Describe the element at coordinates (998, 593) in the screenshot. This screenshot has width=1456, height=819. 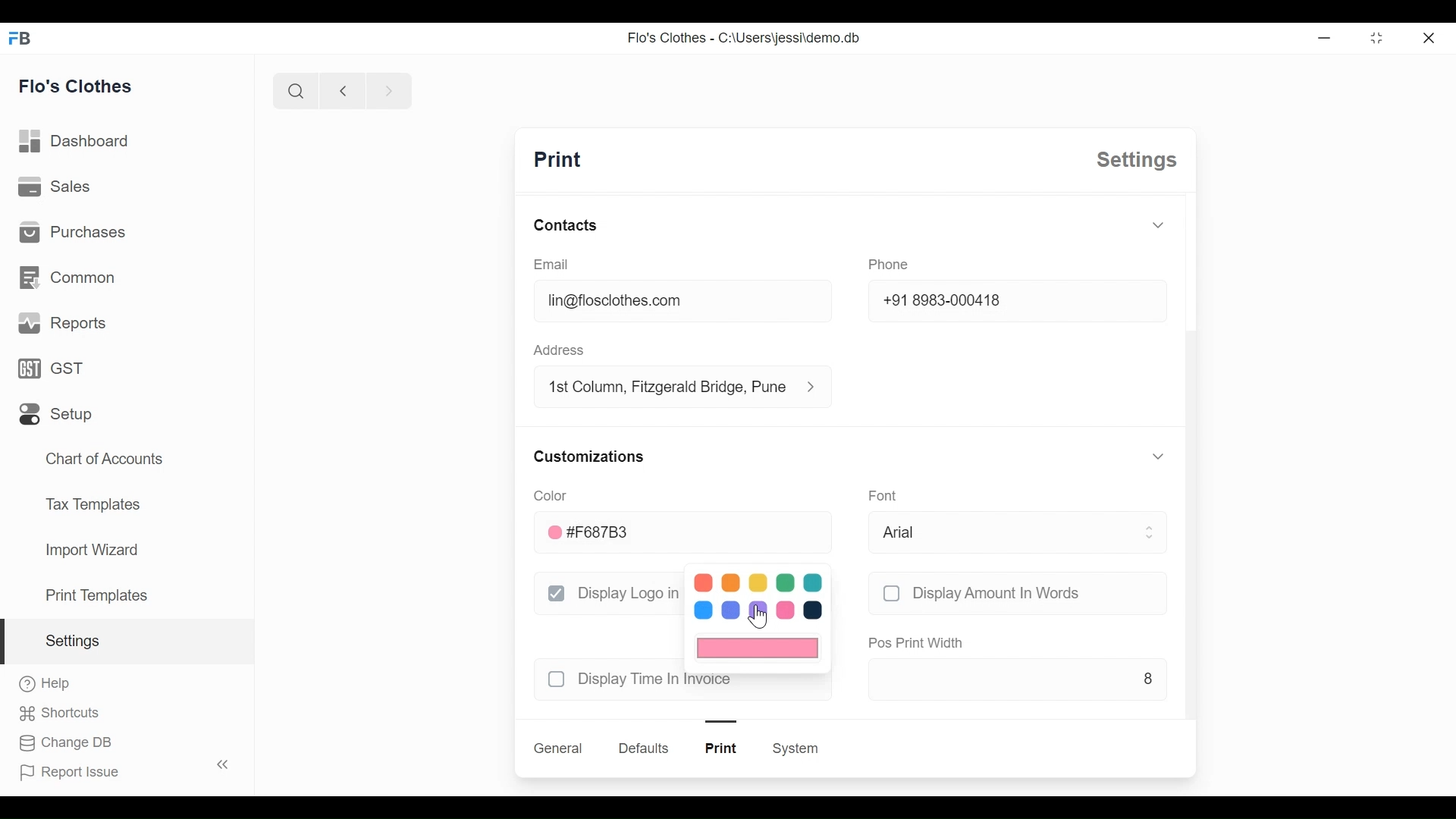
I see `display amount in words` at that location.